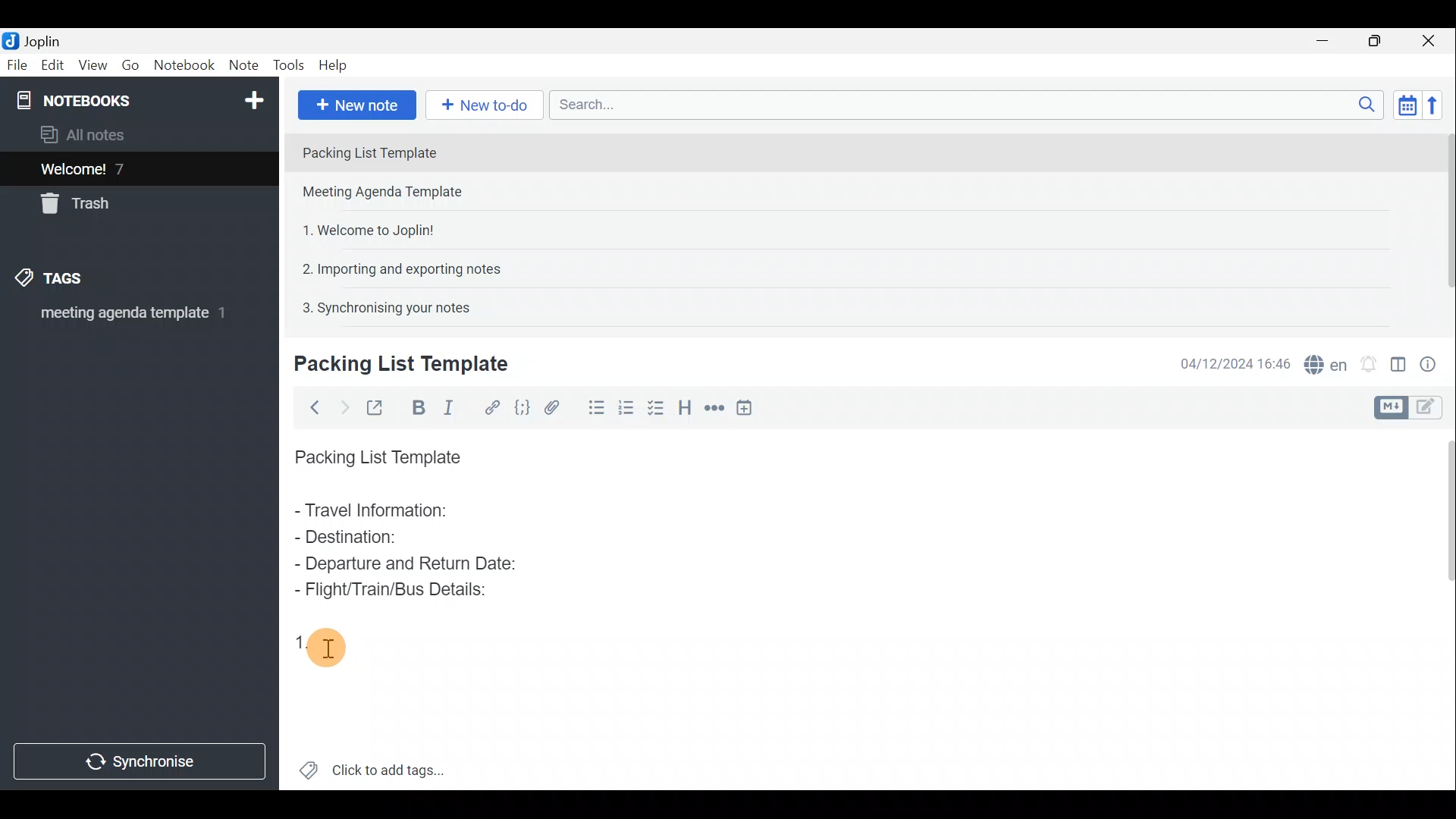 The width and height of the screenshot is (1456, 819). What do you see at coordinates (384, 512) in the screenshot?
I see `Travel Information:` at bounding box center [384, 512].